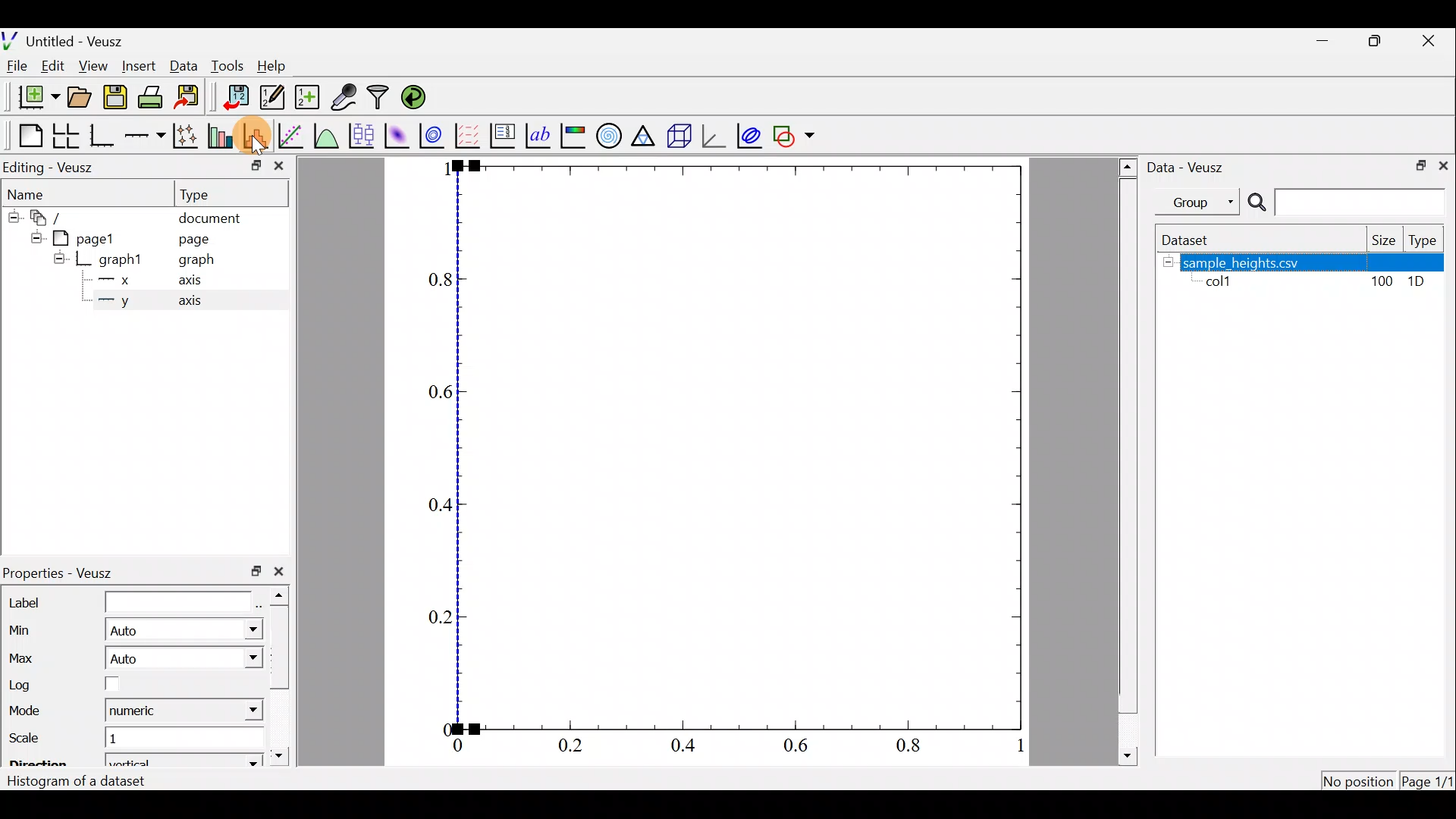  I want to click on print the document, so click(153, 99).